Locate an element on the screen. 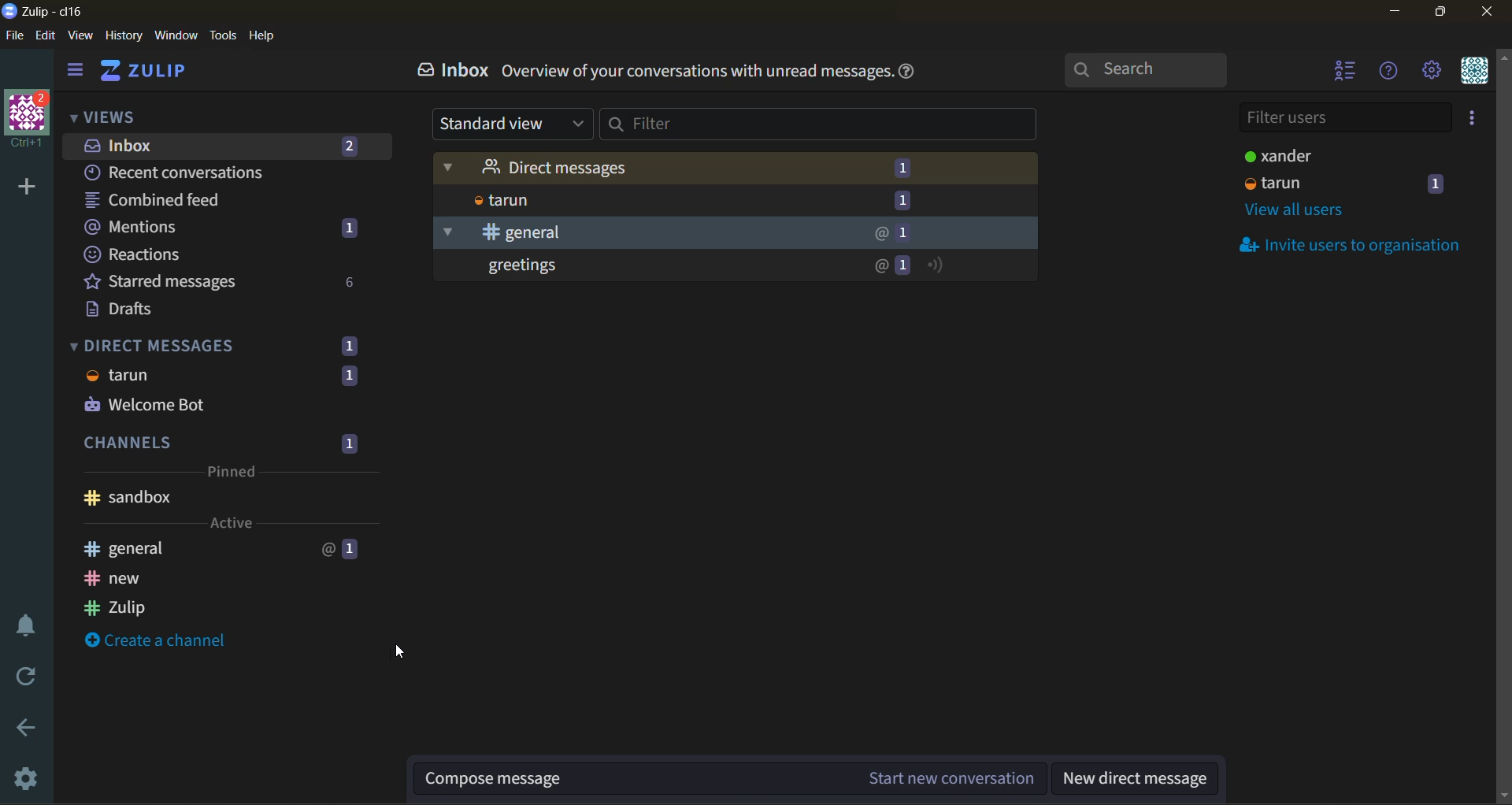 The width and height of the screenshot is (1512, 805). view is located at coordinates (83, 37).